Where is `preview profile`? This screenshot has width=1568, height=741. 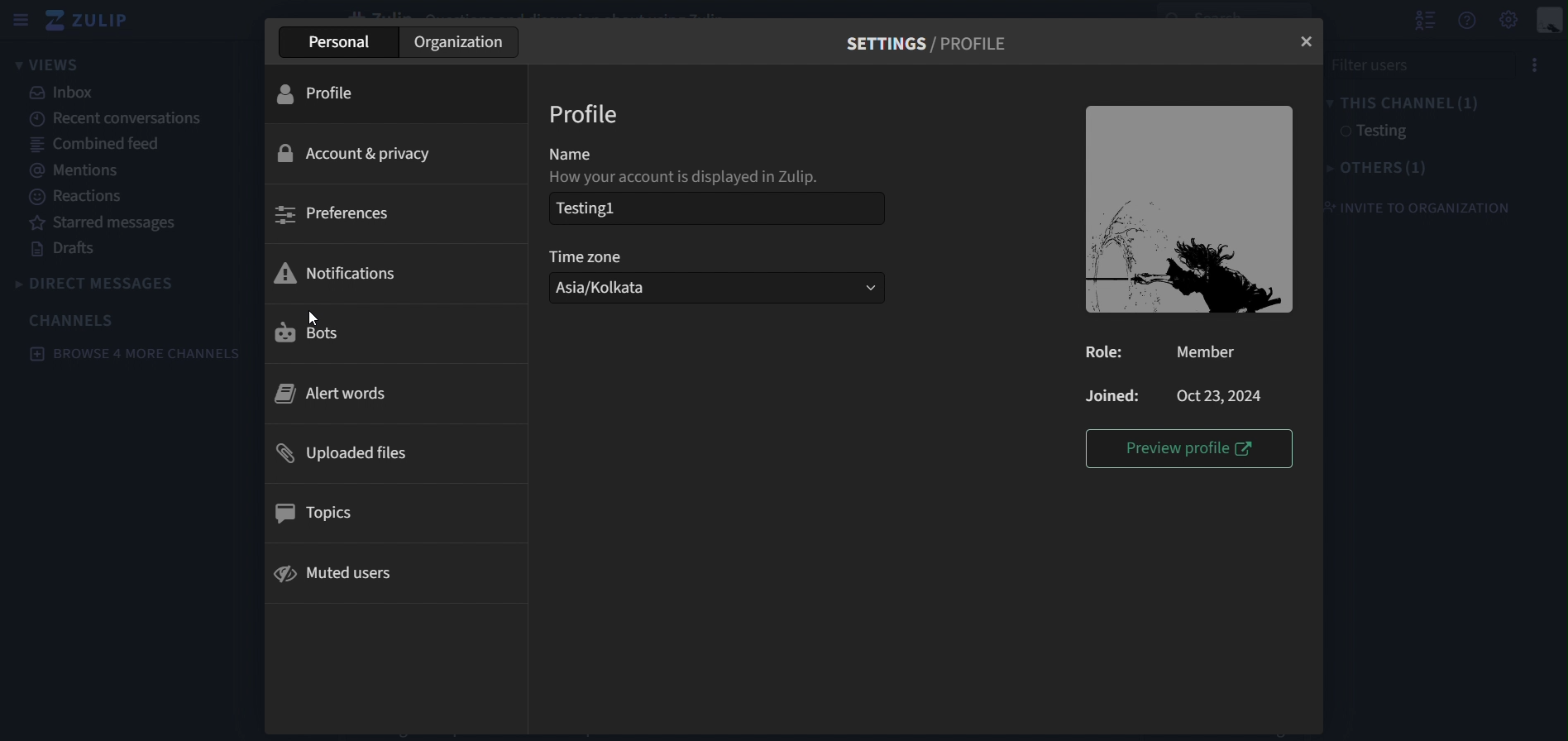
preview profile is located at coordinates (1190, 447).